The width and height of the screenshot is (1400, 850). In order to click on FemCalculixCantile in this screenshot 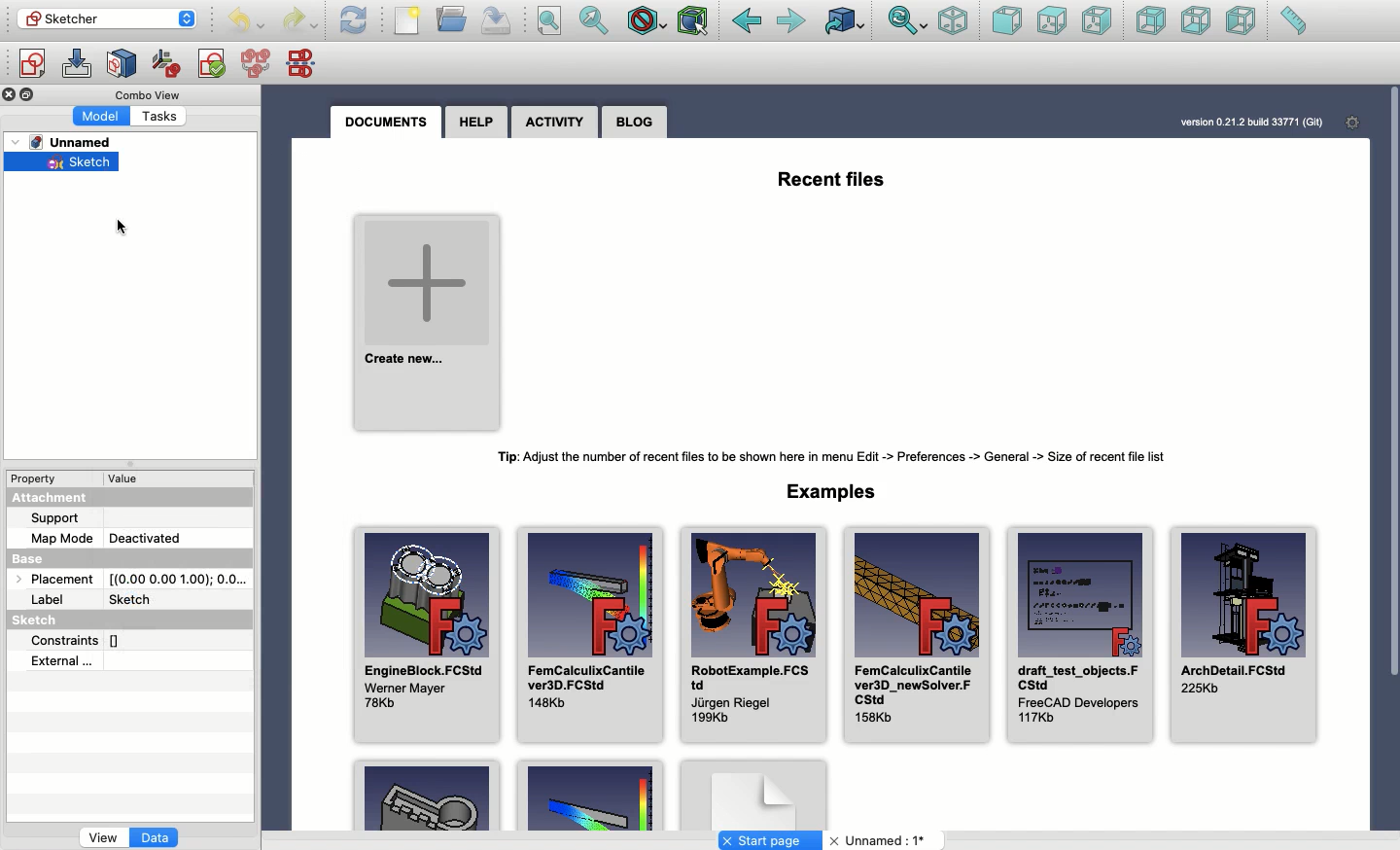, I will do `click(915, 633)`.